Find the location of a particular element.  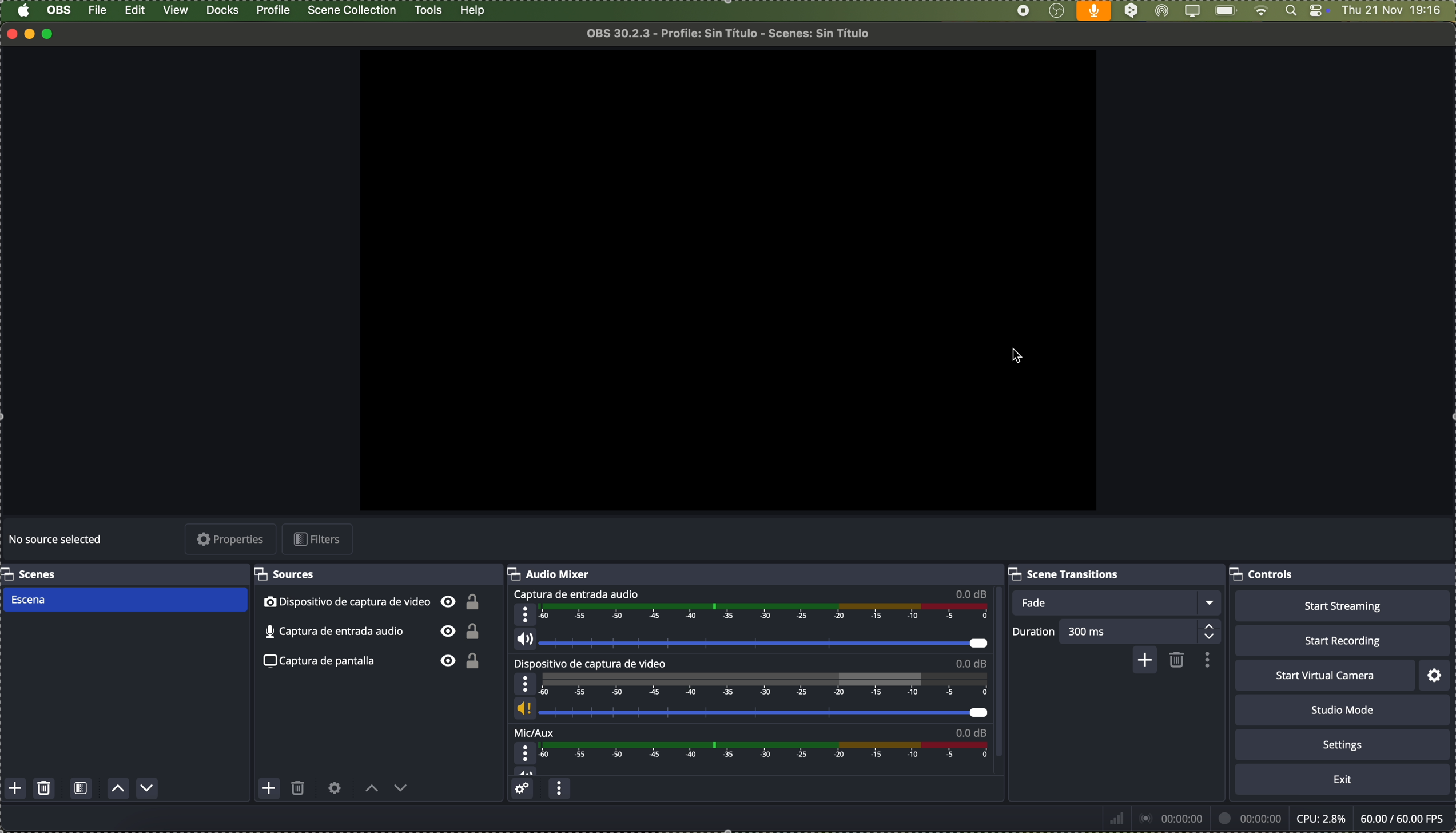

advanced audio properties is located at coordinates (524, 790).